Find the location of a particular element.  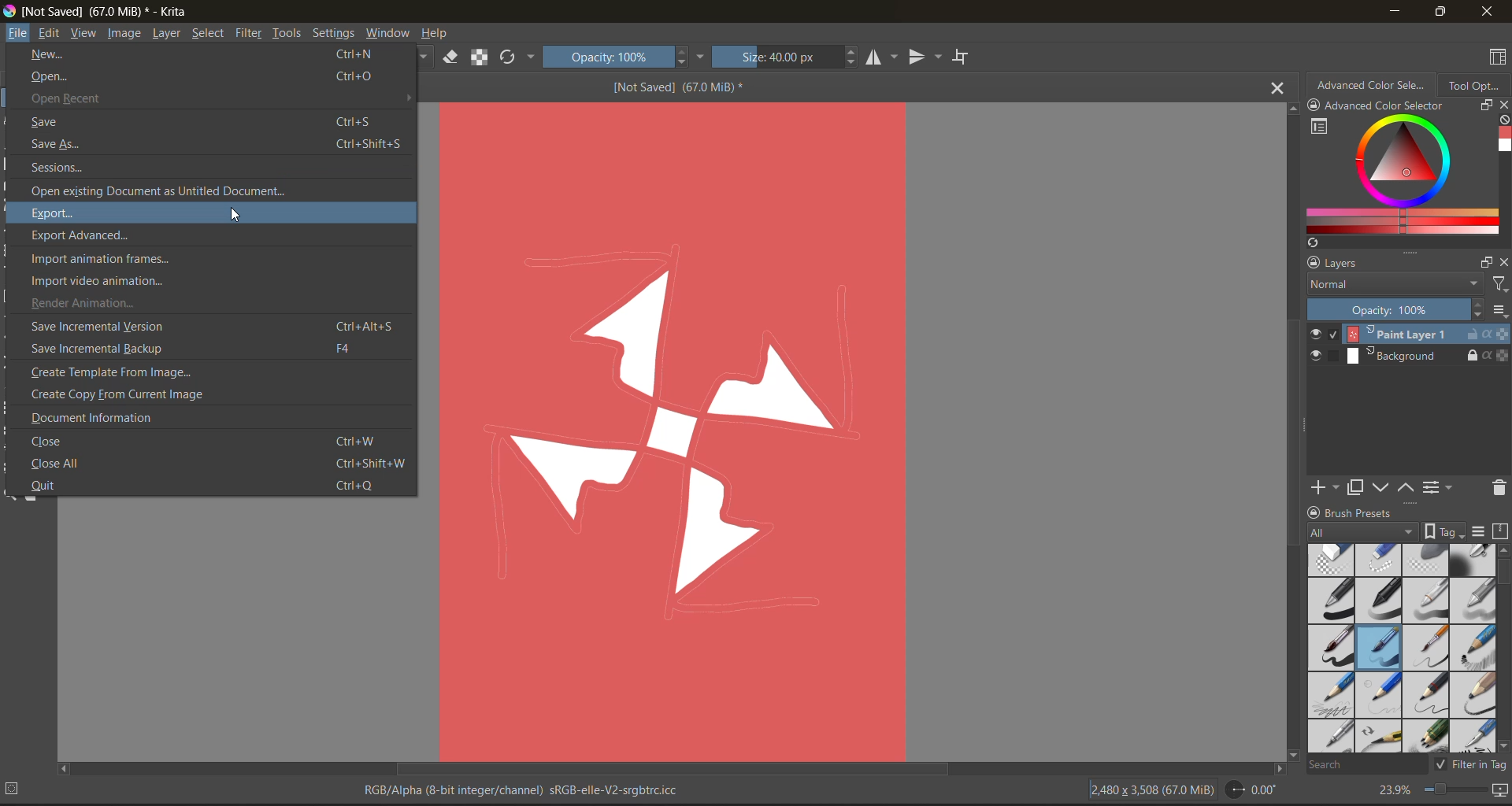

clear all color history is located at coordinates (1501, 119).